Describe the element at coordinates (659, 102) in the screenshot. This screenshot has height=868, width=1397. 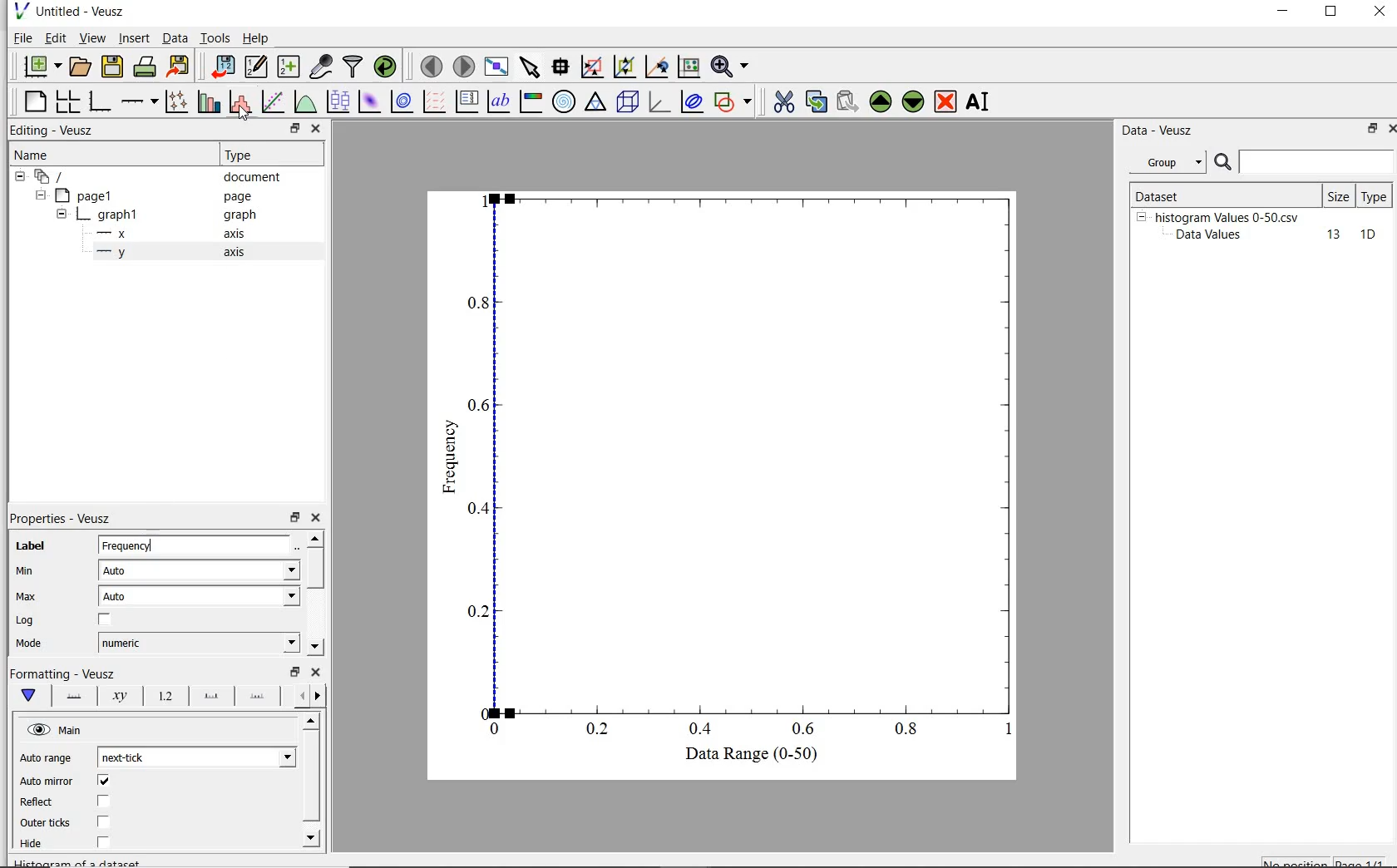
I see `3d graph` at that location.